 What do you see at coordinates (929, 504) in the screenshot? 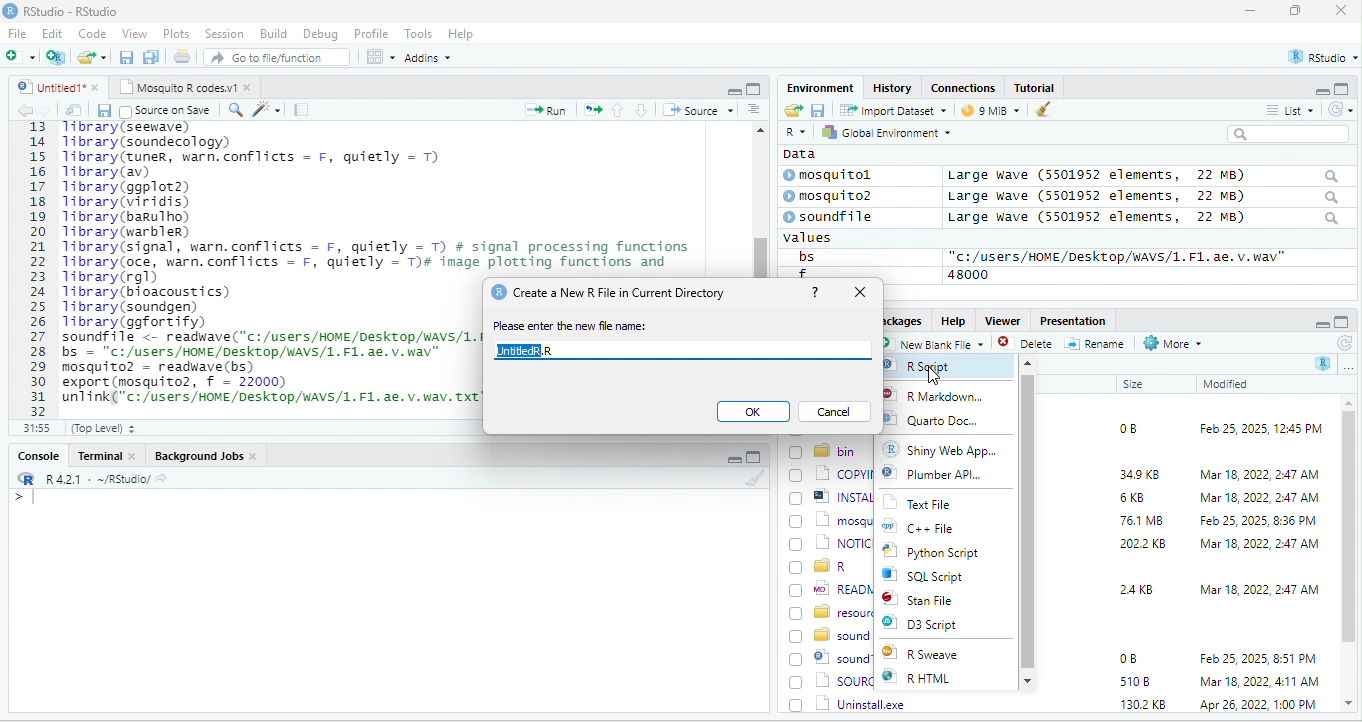
I see `Text File` at bounding box center [929, 504].